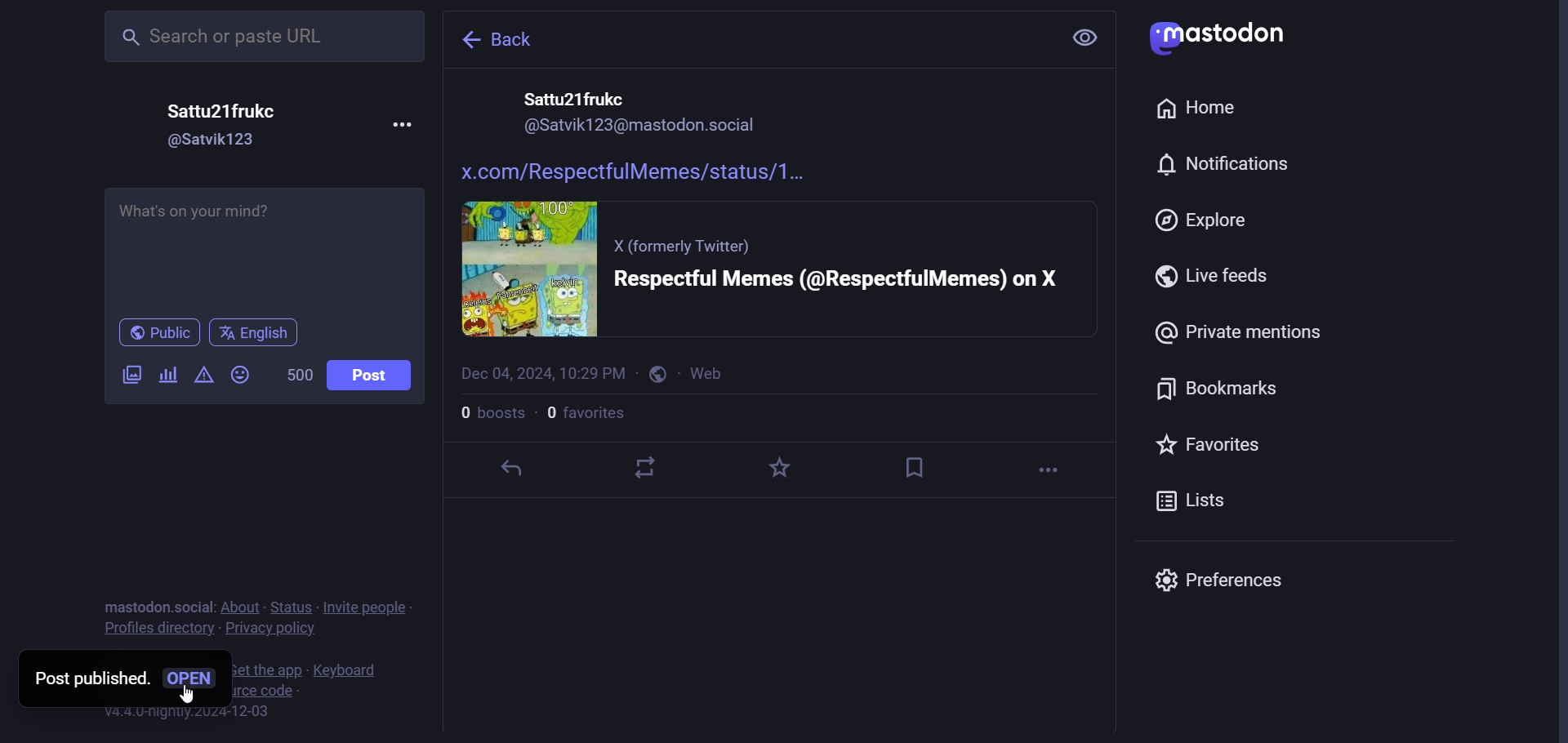 Image resolution: width=1568 pixels, height=743 pixels. I want to click on images/videos, so click(131, 375).